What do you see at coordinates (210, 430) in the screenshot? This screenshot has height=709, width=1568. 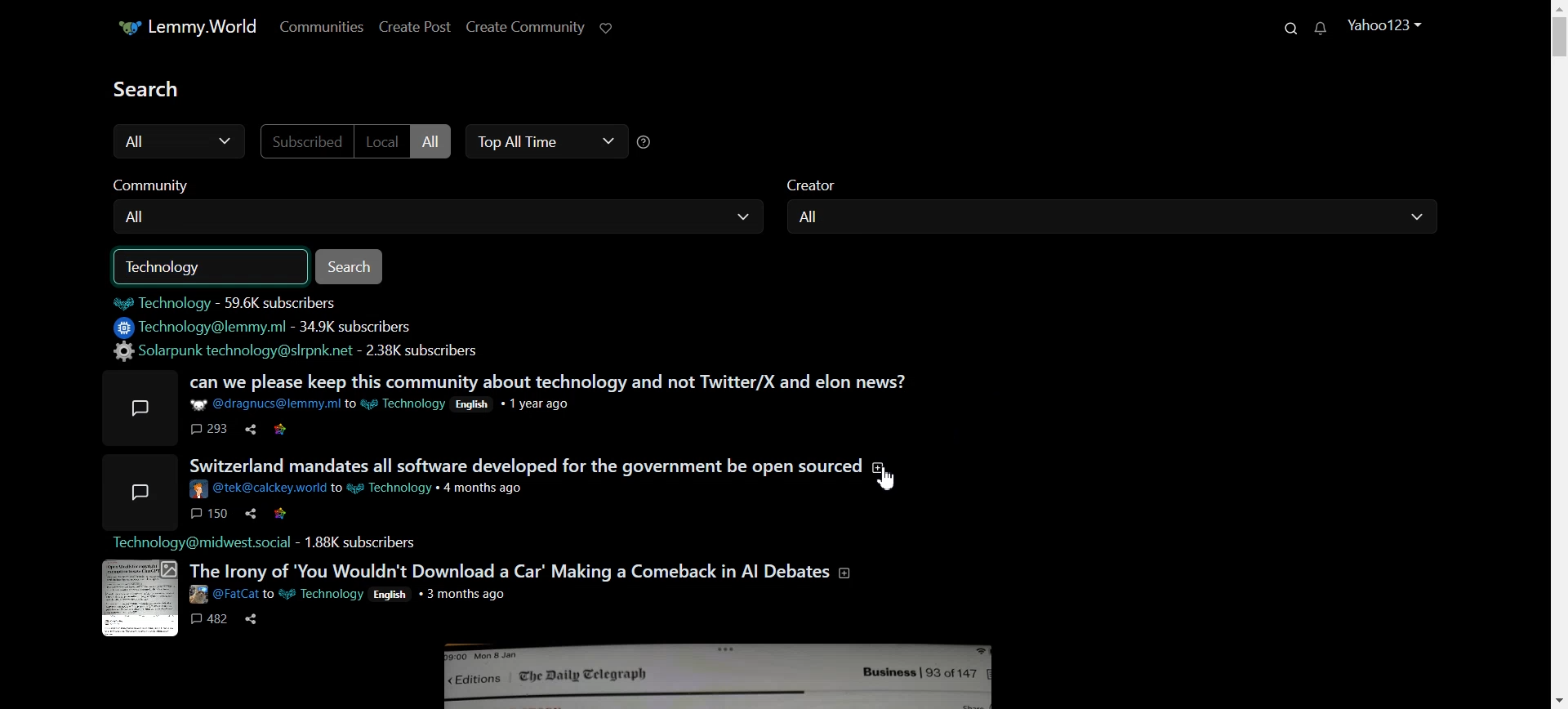 I see `293 comment` at bounding box center [210, 430].